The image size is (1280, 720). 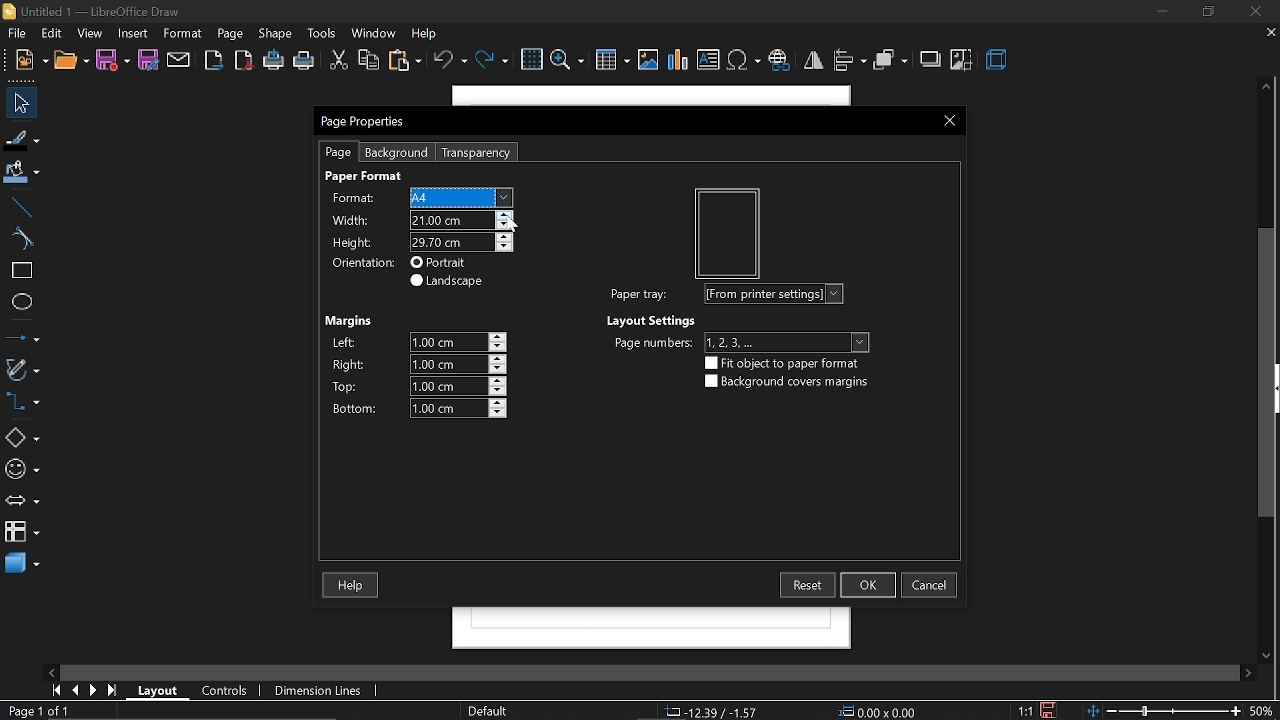 I want to click on fill line, so click(x=23, y=140).